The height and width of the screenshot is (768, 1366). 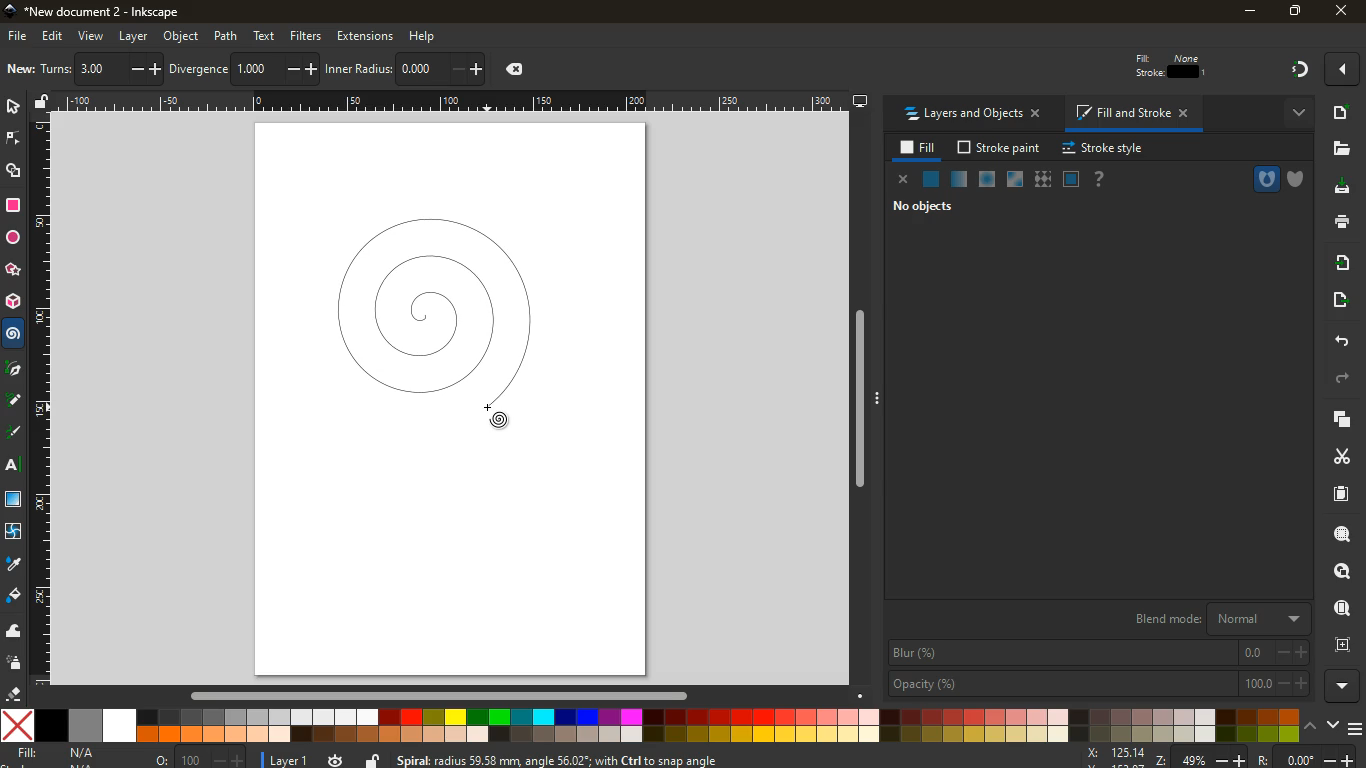 What do you see at coordinates (13, 695) in the screenshot?
I see `eraser` at bounding box center [13, 695].